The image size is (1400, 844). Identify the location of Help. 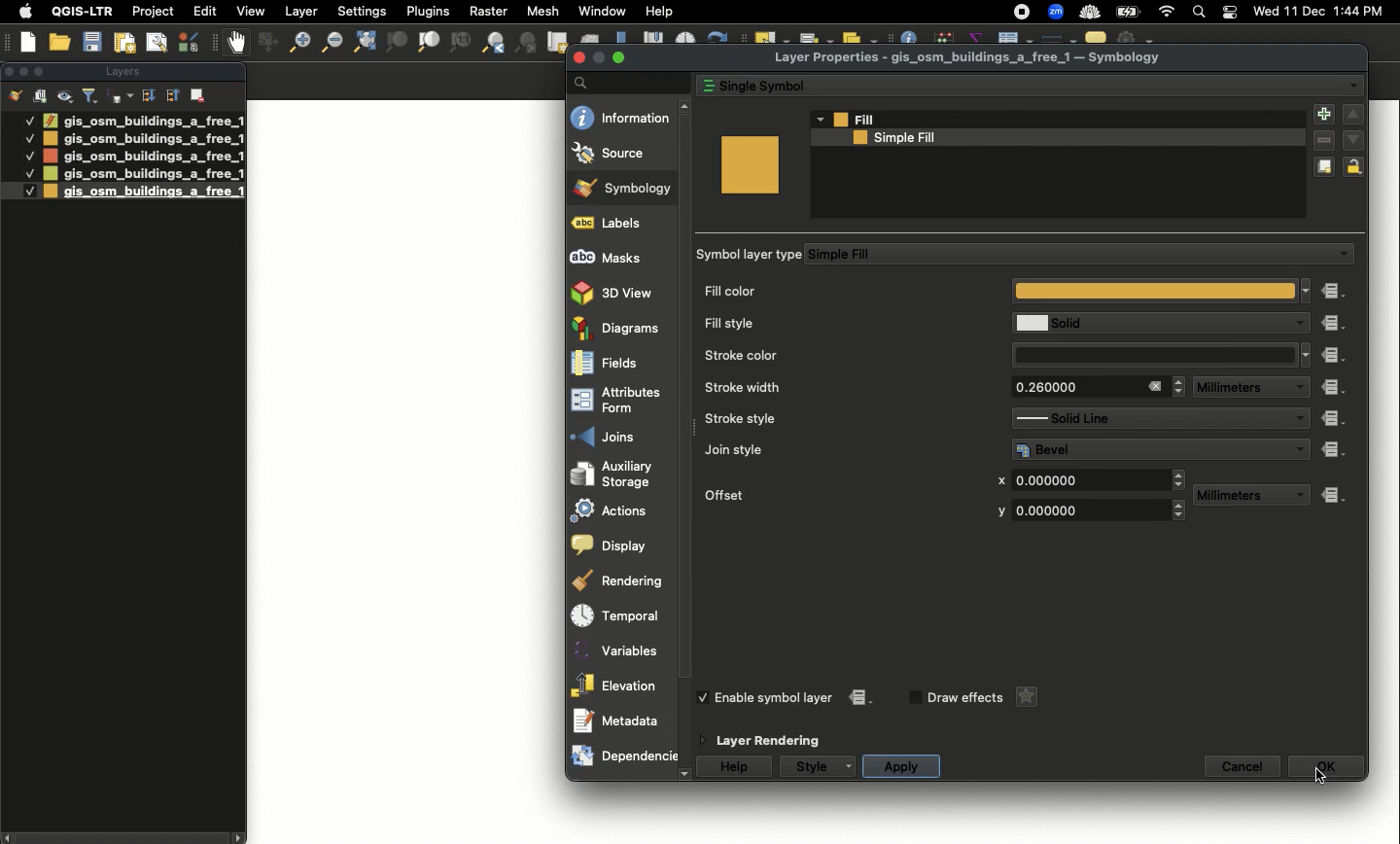
(659, 12).